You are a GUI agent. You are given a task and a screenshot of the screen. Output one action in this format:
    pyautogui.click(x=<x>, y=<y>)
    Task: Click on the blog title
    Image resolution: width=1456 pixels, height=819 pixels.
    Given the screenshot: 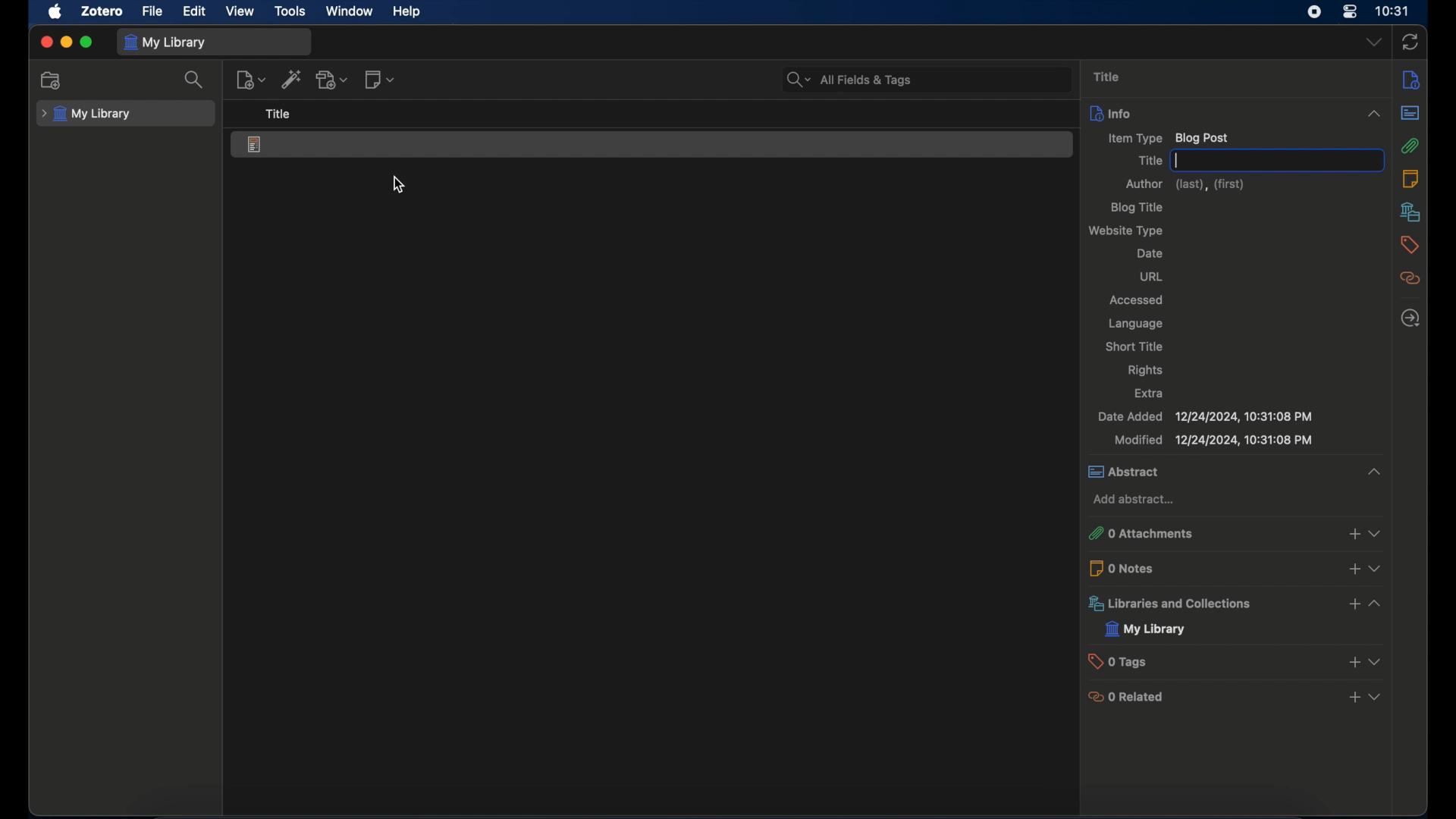 What is the action you would take?
    pyautogui.click(x=1139, y=208)
    